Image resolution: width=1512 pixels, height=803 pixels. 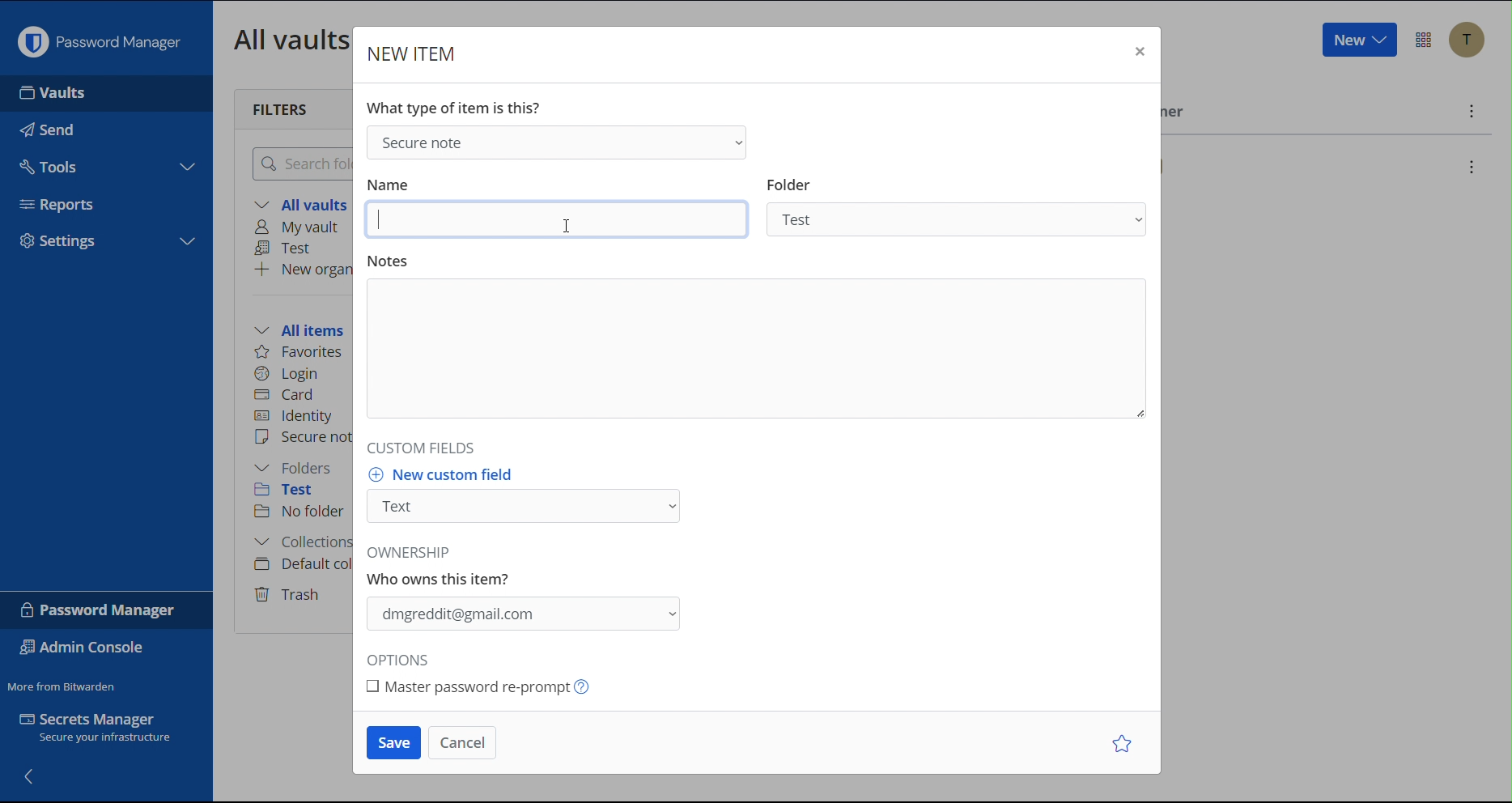 I want to click on Folder, so click(x=962, y=209).